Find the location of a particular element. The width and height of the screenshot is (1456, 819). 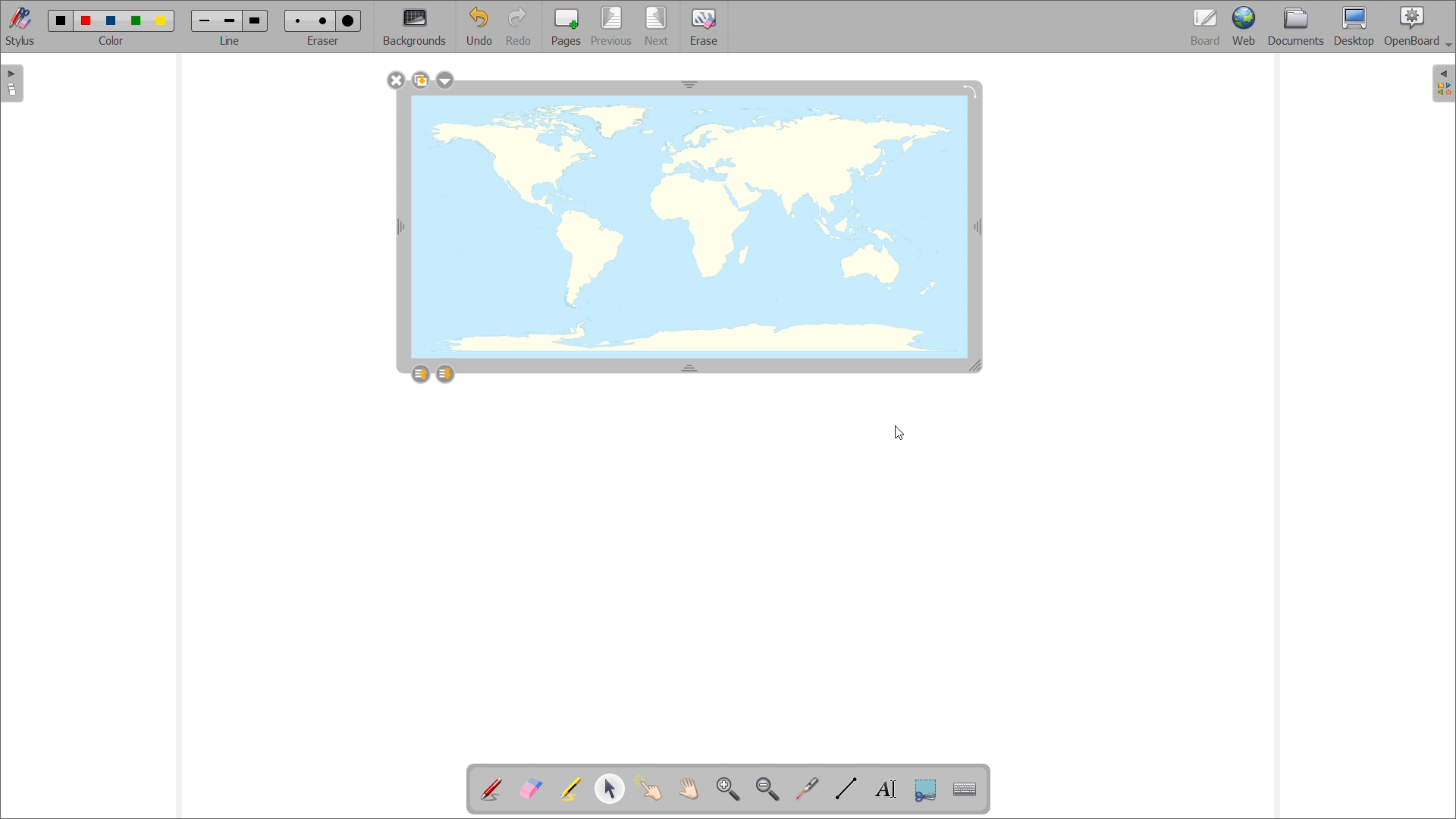

erase annotations is located at coordinates (530, 787).